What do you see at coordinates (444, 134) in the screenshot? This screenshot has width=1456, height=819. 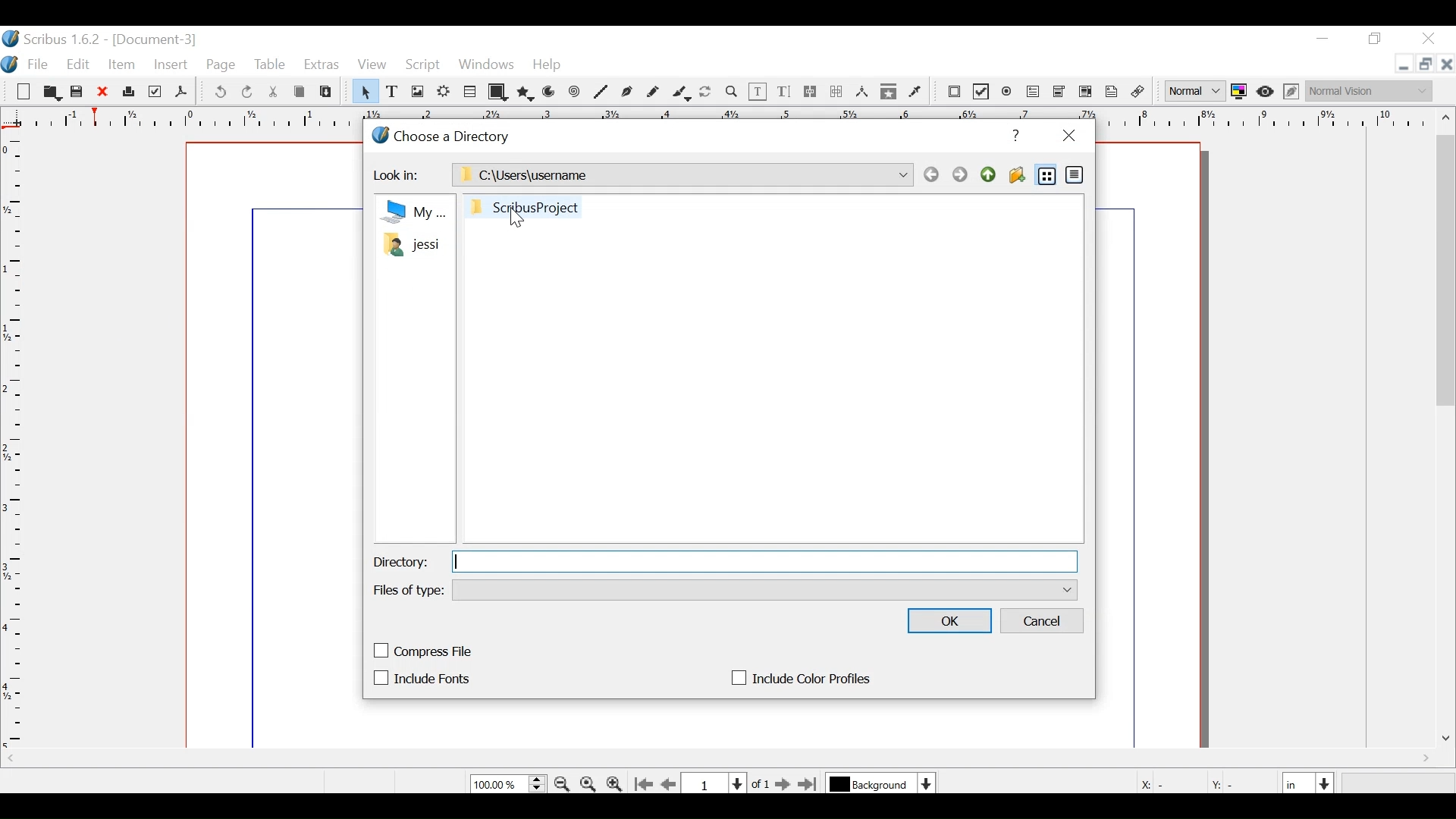 I see `Choose Directory` at bounding box center [444, 134].